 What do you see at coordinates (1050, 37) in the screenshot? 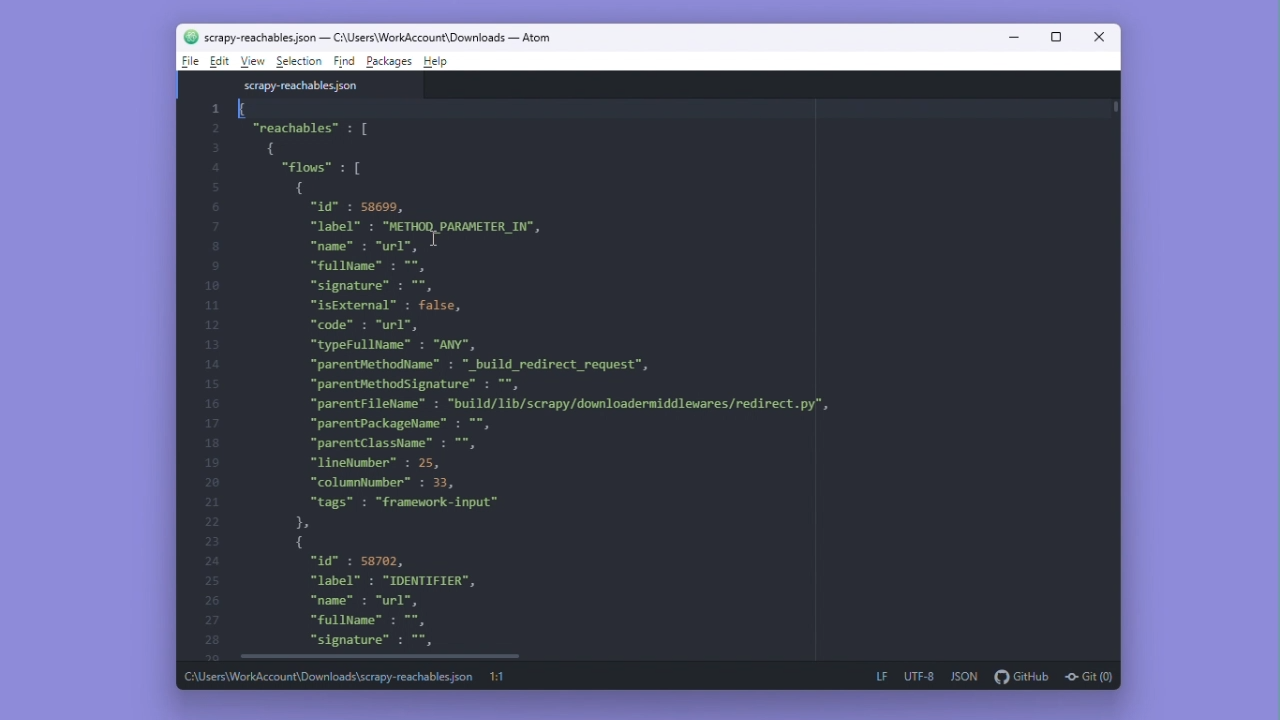
I see `Maximize` at bounding box center [1050, 37].